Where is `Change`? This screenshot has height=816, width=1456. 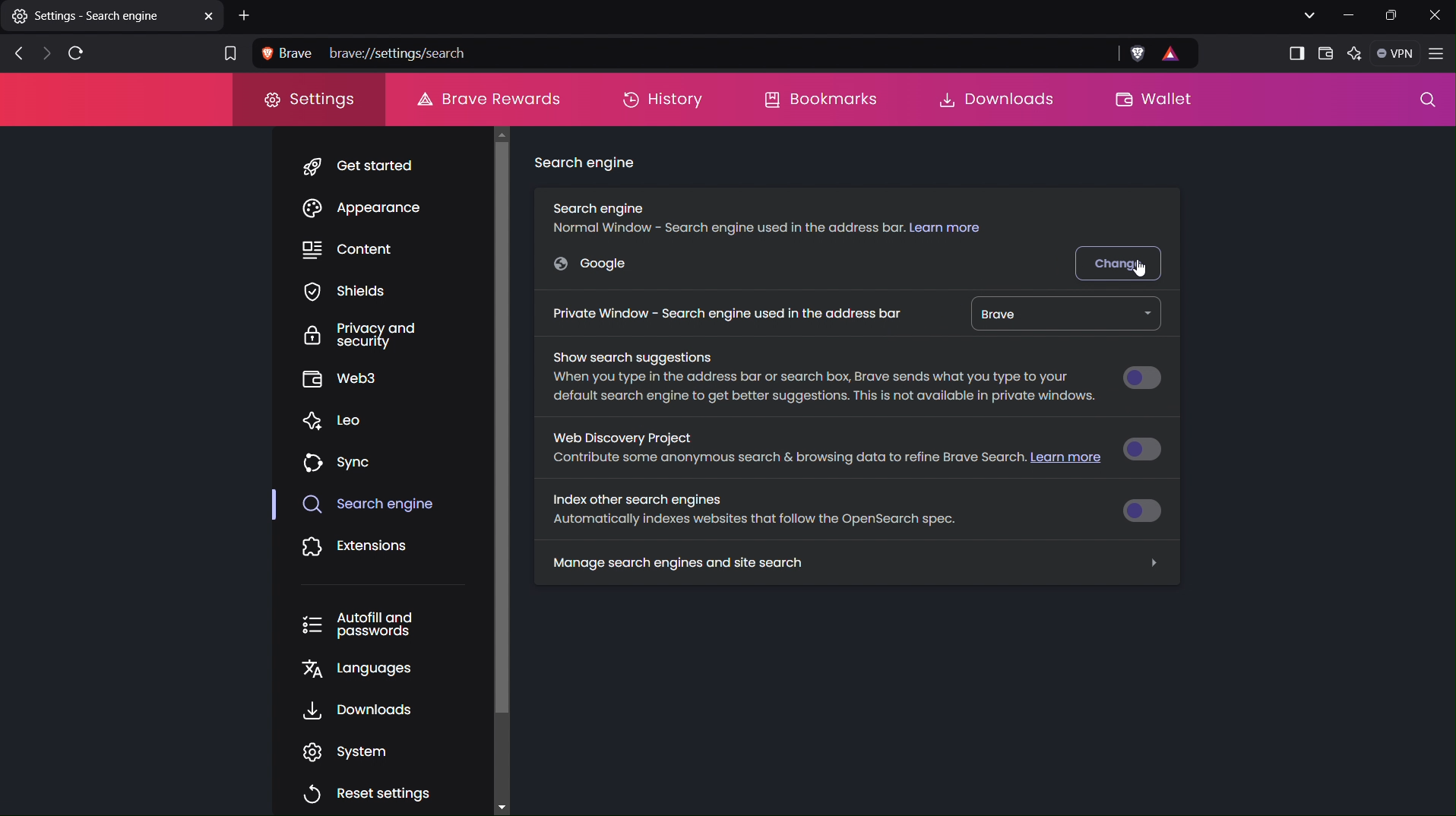
Change is located at coordinates (1121, 261).